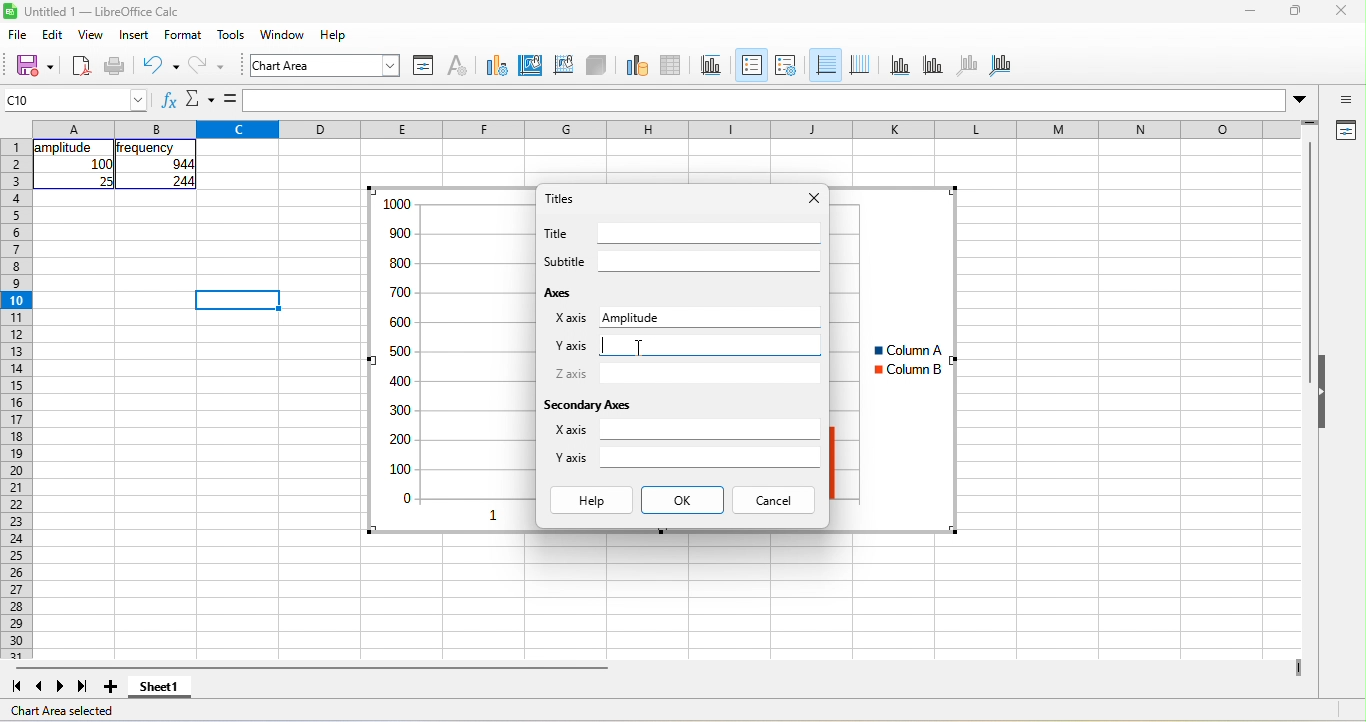  What do you see at coordinates (786, 66) in the screenshot?
I see `legend` at bounding box center [786, 66].